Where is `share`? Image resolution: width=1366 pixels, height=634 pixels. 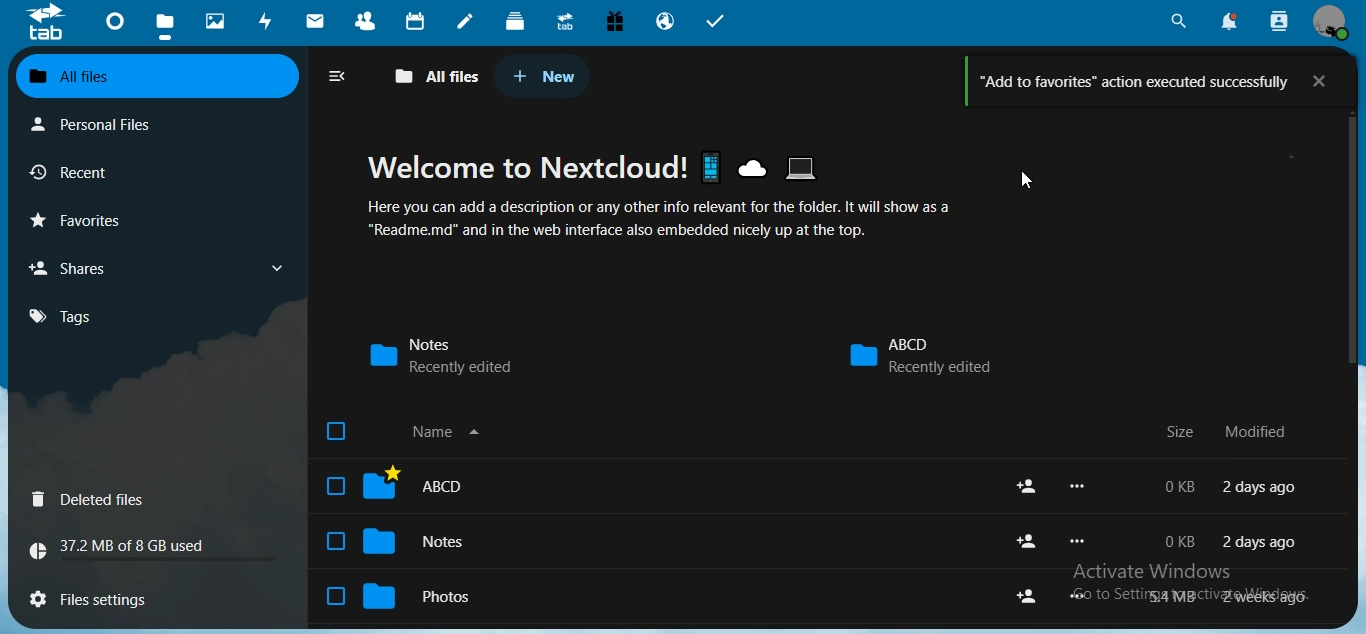 share is located at coordinates (1026, 595).